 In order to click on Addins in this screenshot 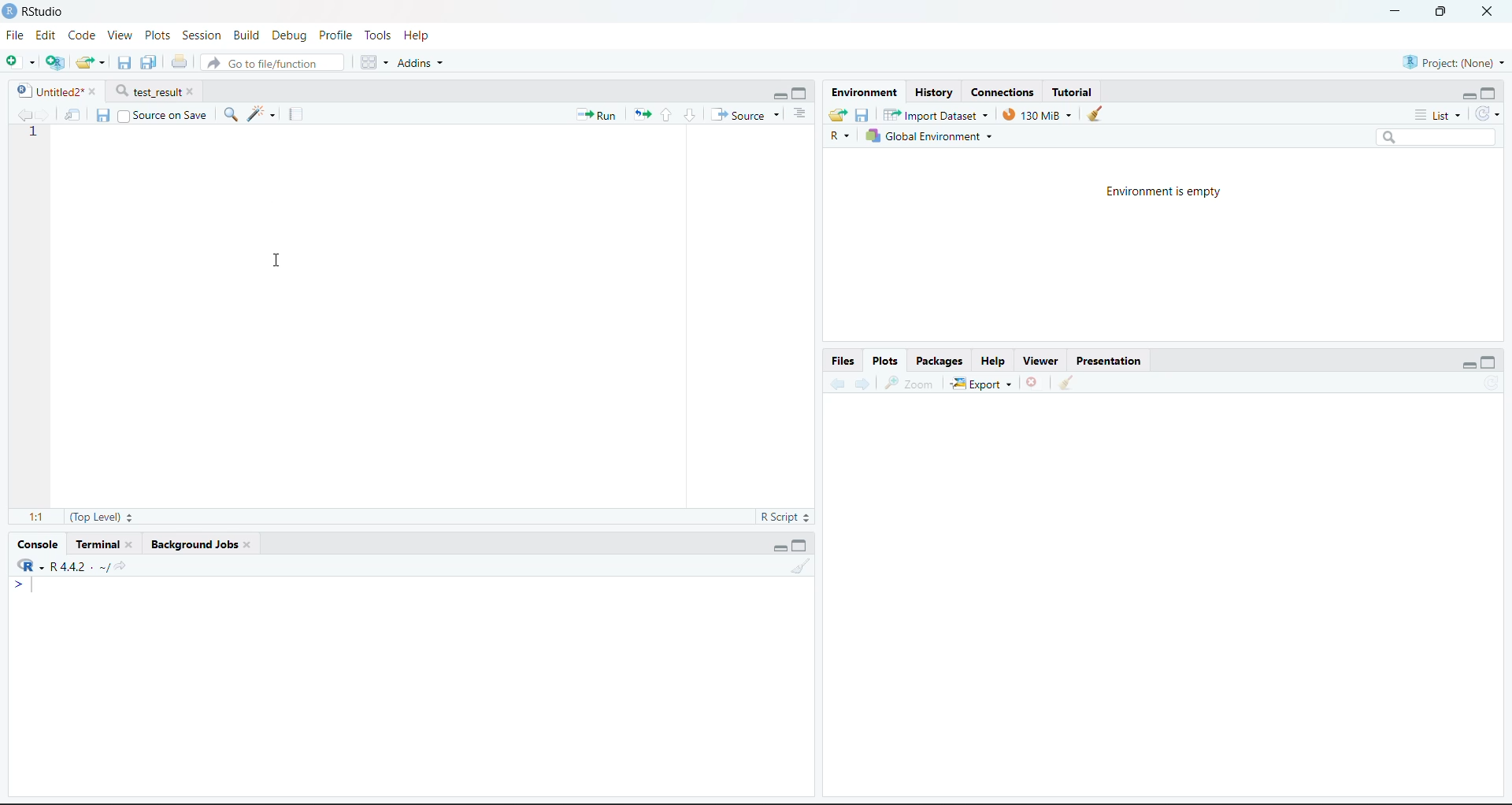, I will do `click(422, 63)`.